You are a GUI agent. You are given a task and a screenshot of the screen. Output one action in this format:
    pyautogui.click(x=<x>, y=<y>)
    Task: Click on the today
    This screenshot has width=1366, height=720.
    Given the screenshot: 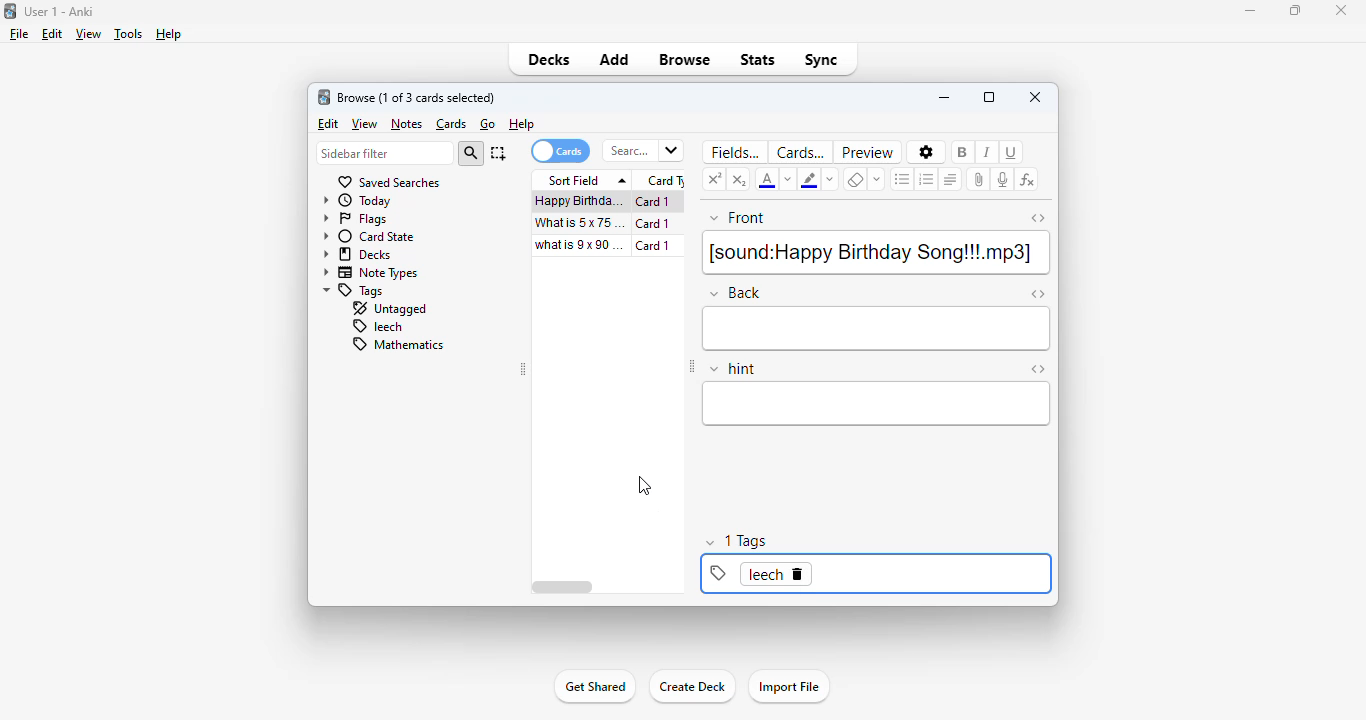 What is the action you would take?
    pyautogui.click(x=358, y=201)
    